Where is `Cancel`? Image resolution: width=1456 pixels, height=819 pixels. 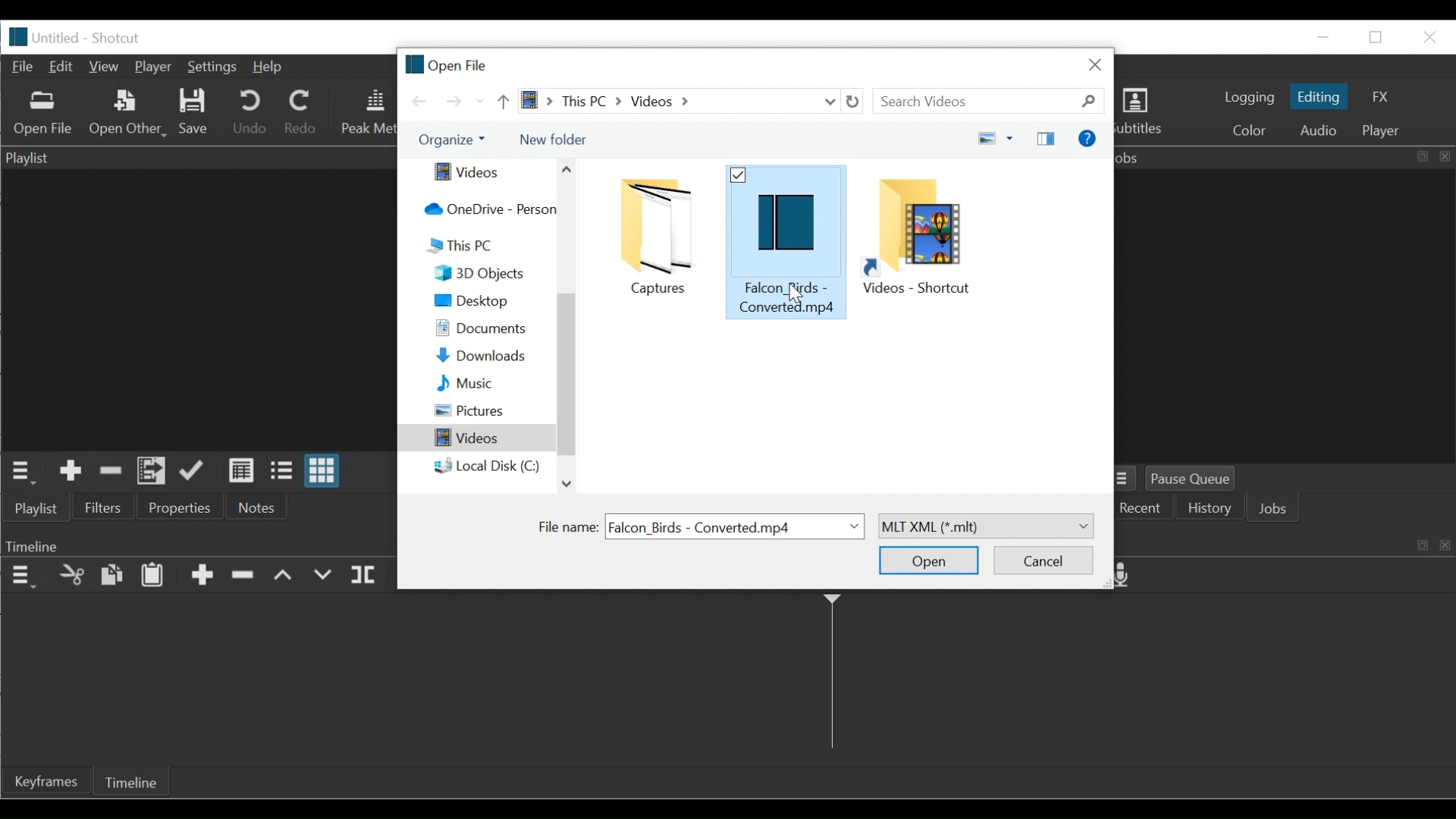 Cancel is located at coordinates (1043, 560).